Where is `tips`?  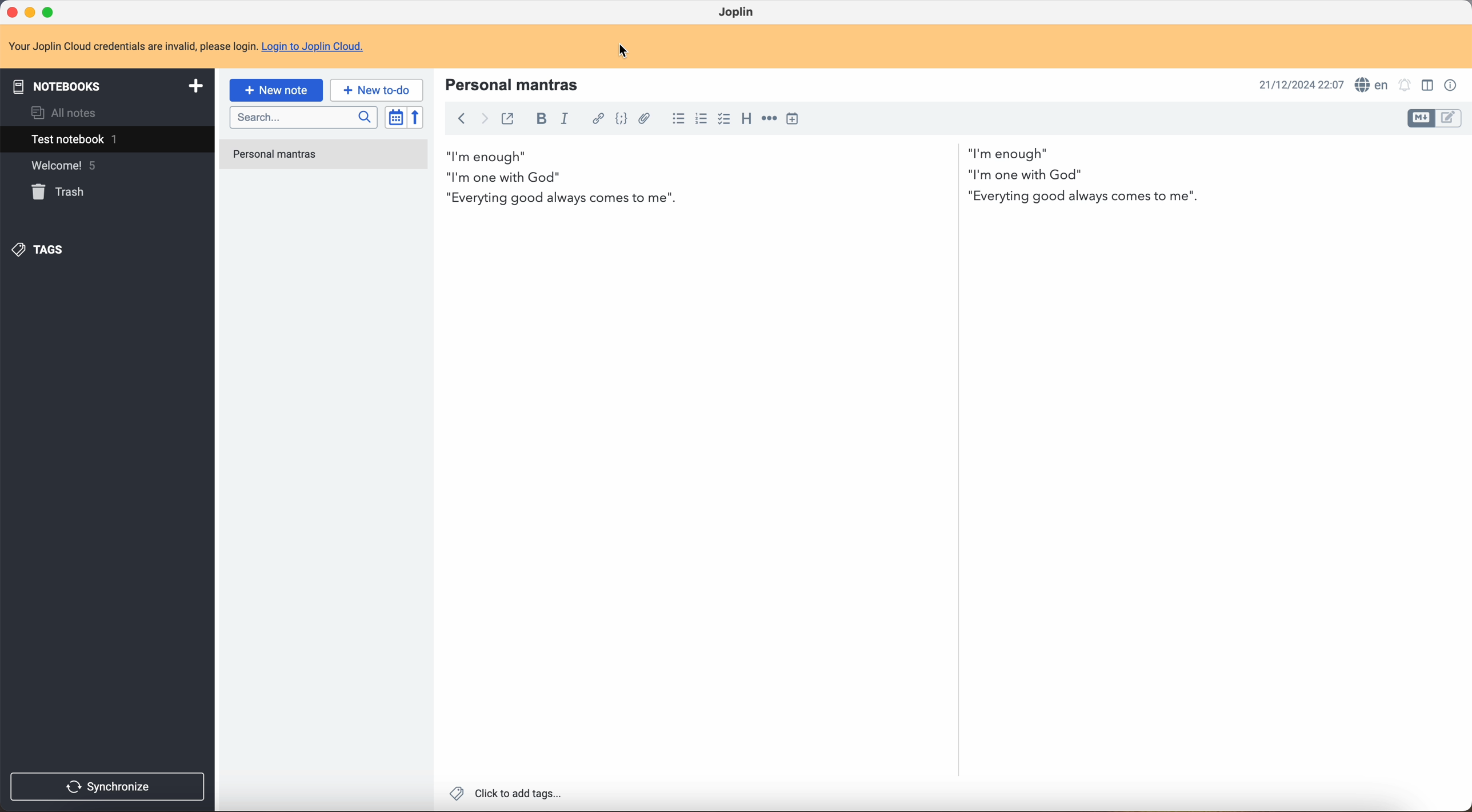 tips is located at coordinates (249, 242).